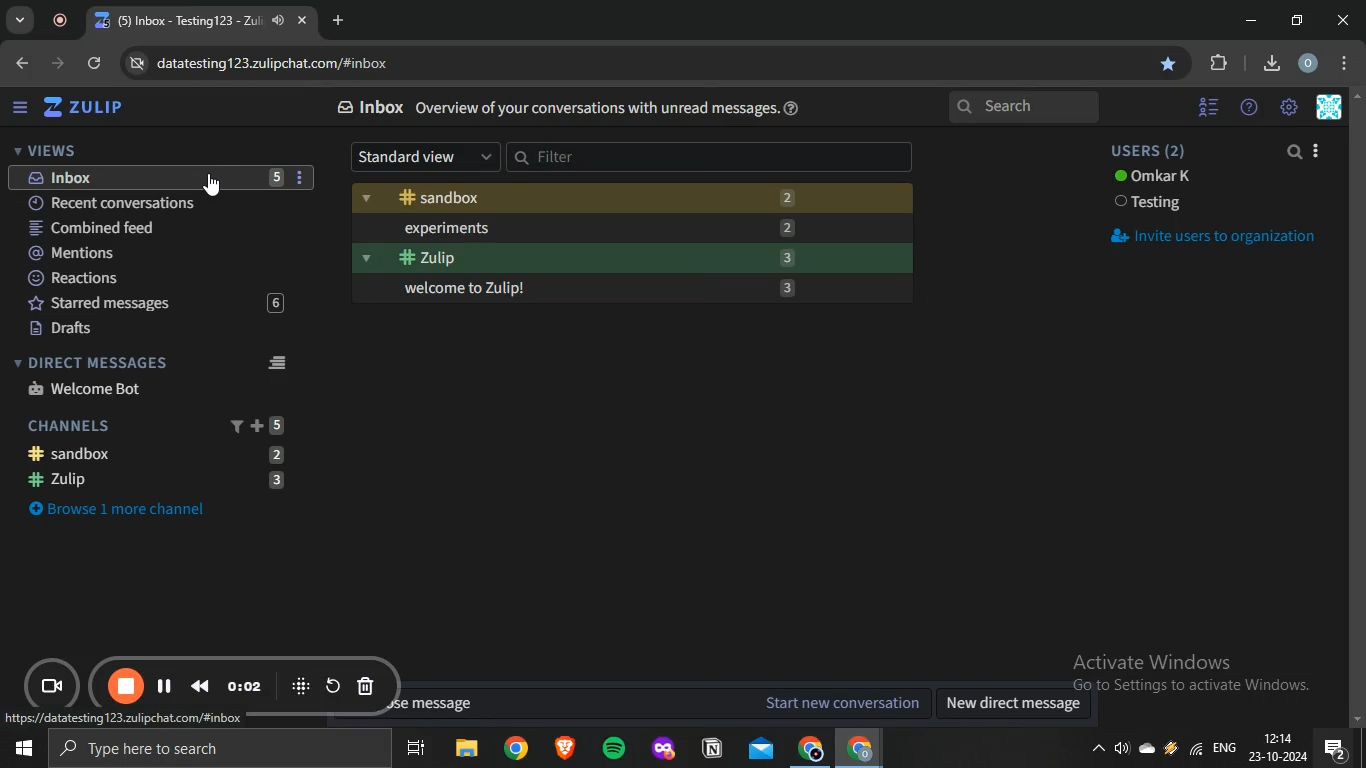  I want to click on close tab, so click(304, 22).